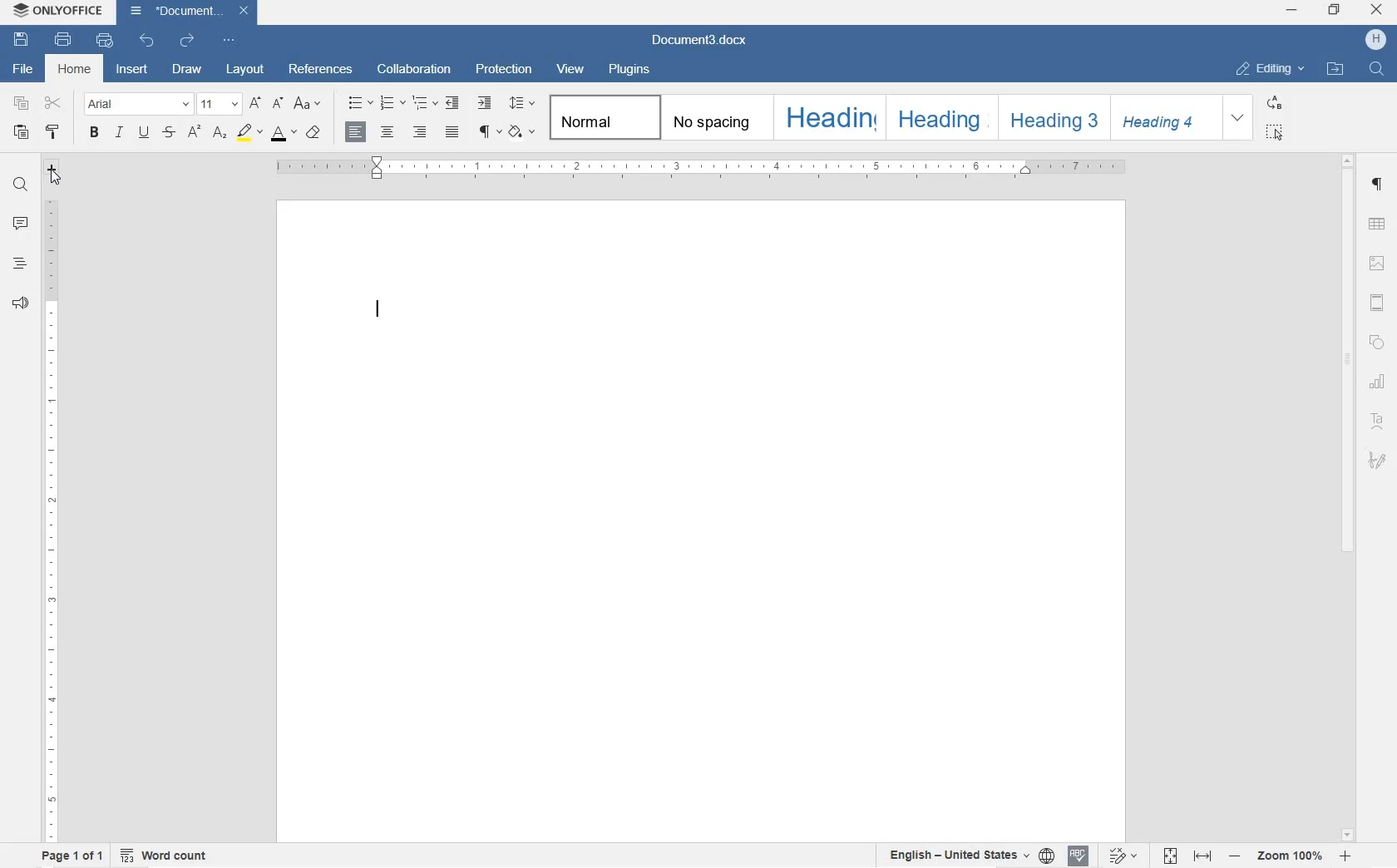 Image resolution: width=1397 pixels, height=868 pixels. Describe the element at coordinates (283, 133) in the screenshot. I see `FONT COLOR` at that location.